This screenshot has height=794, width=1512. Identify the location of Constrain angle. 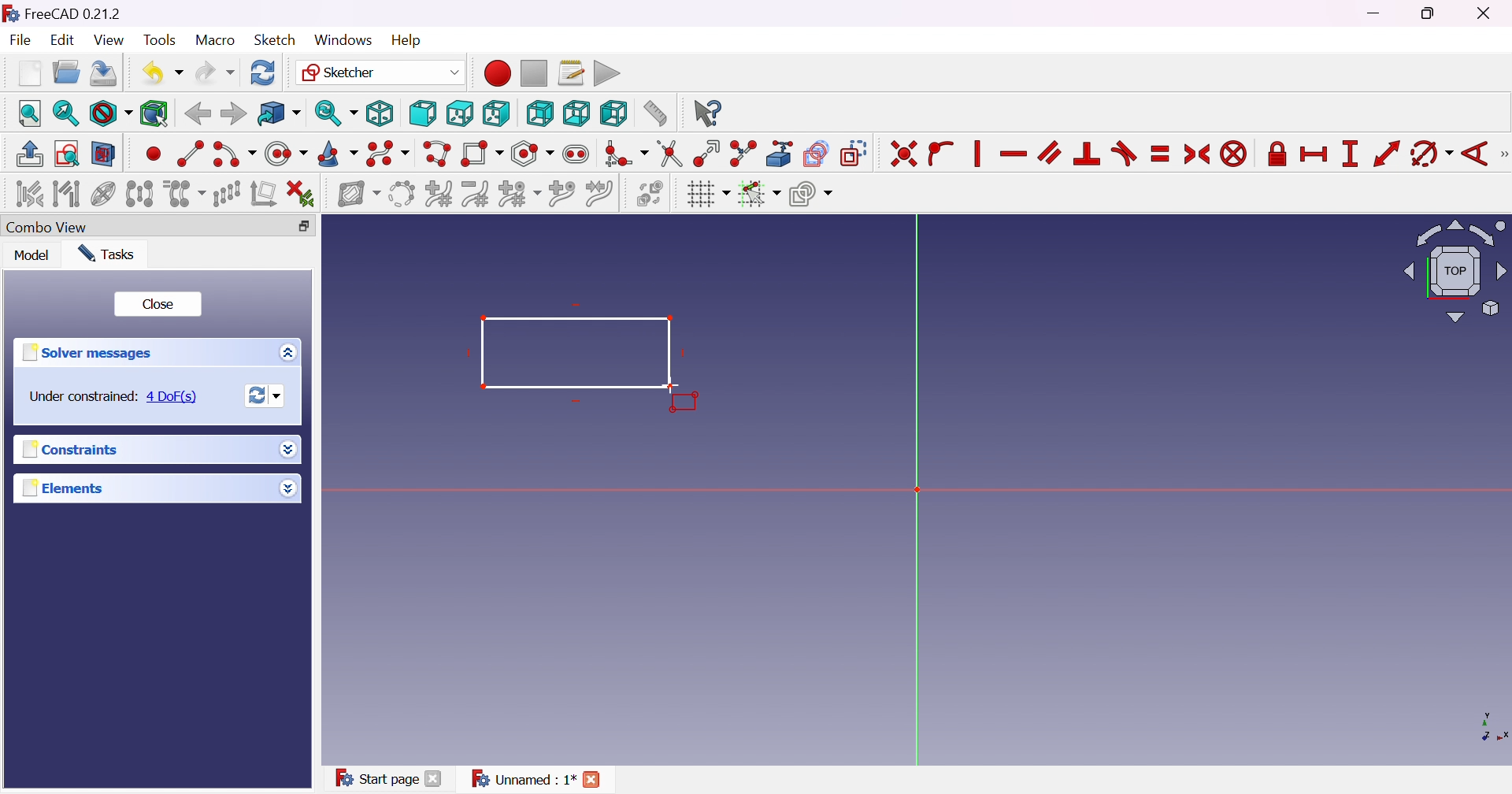
(1473, 155).